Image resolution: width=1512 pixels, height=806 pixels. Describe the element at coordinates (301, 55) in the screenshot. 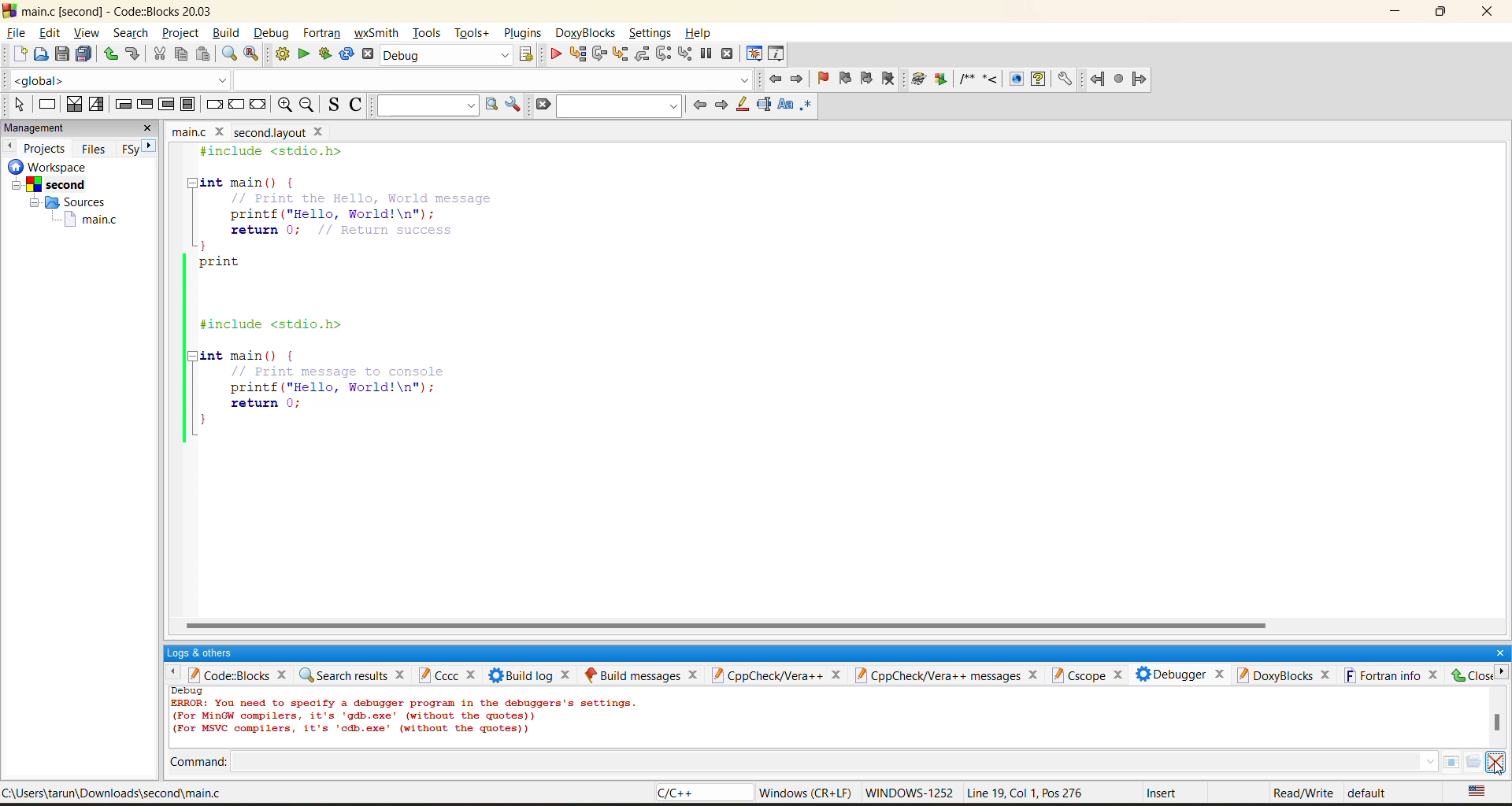

I see `replace` at that location.